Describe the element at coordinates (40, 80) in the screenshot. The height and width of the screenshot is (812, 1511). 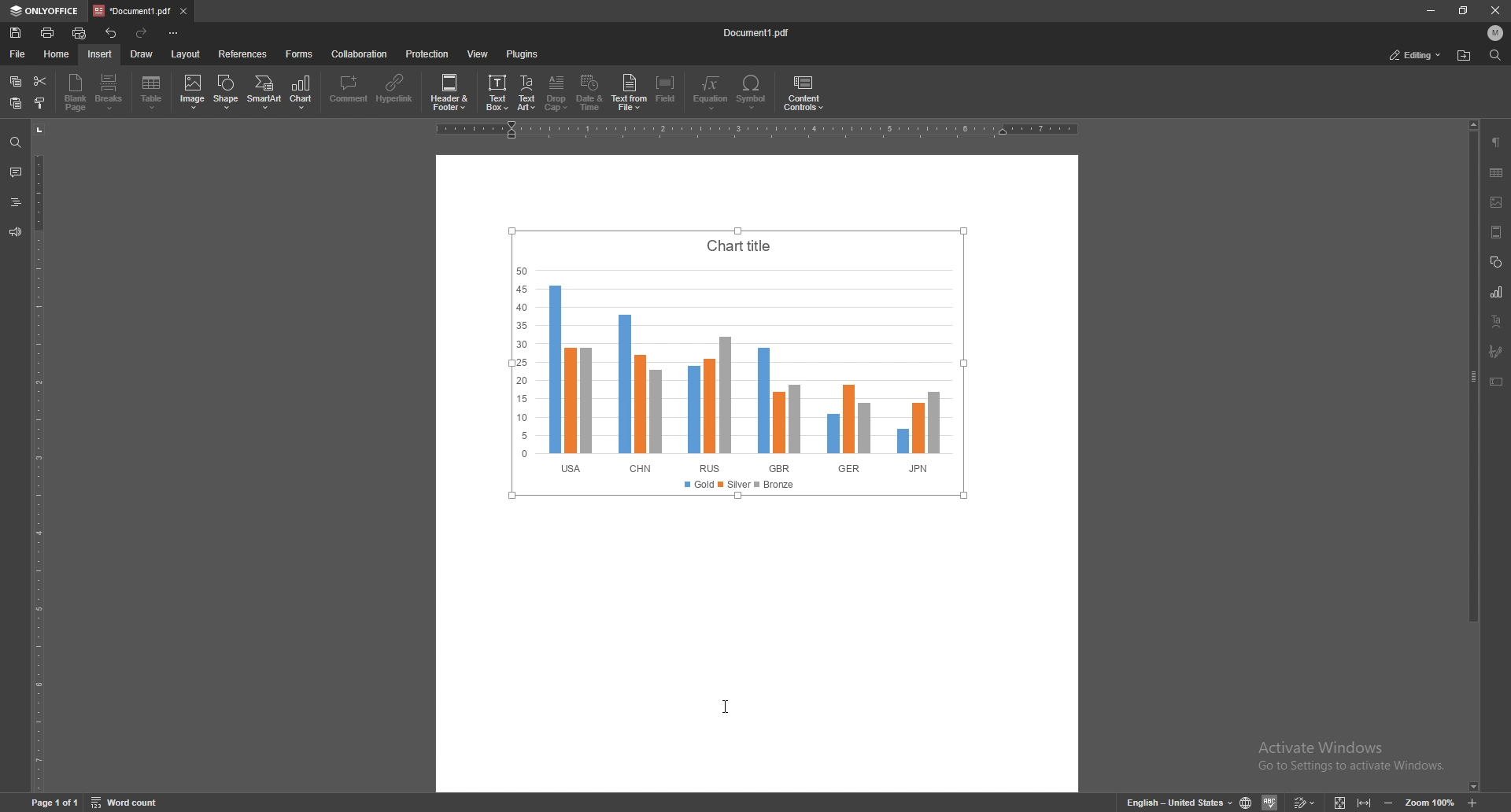
I see `cut` at that location.